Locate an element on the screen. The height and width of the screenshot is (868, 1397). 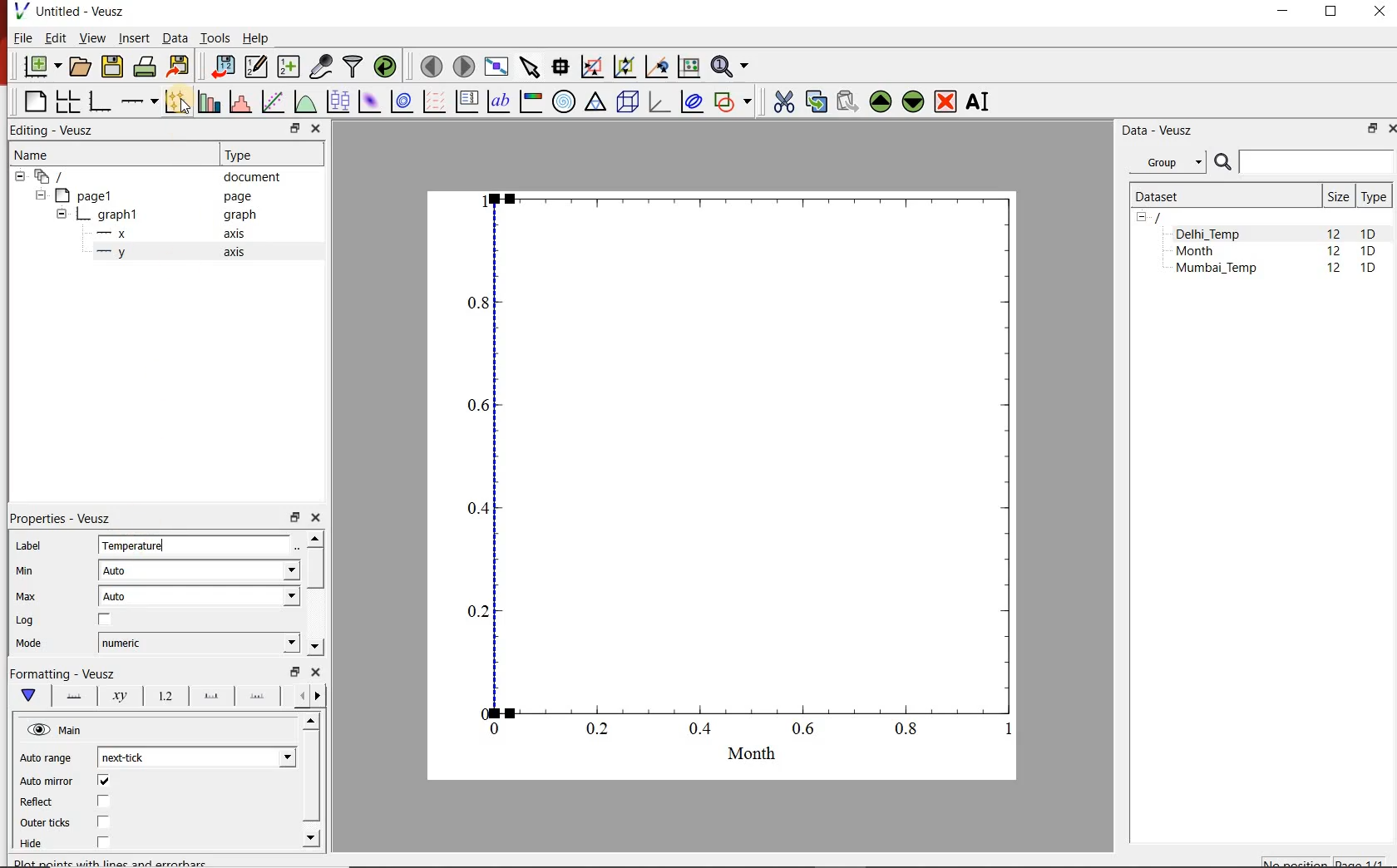
Minor ticks is located at coordinates (259, 696).